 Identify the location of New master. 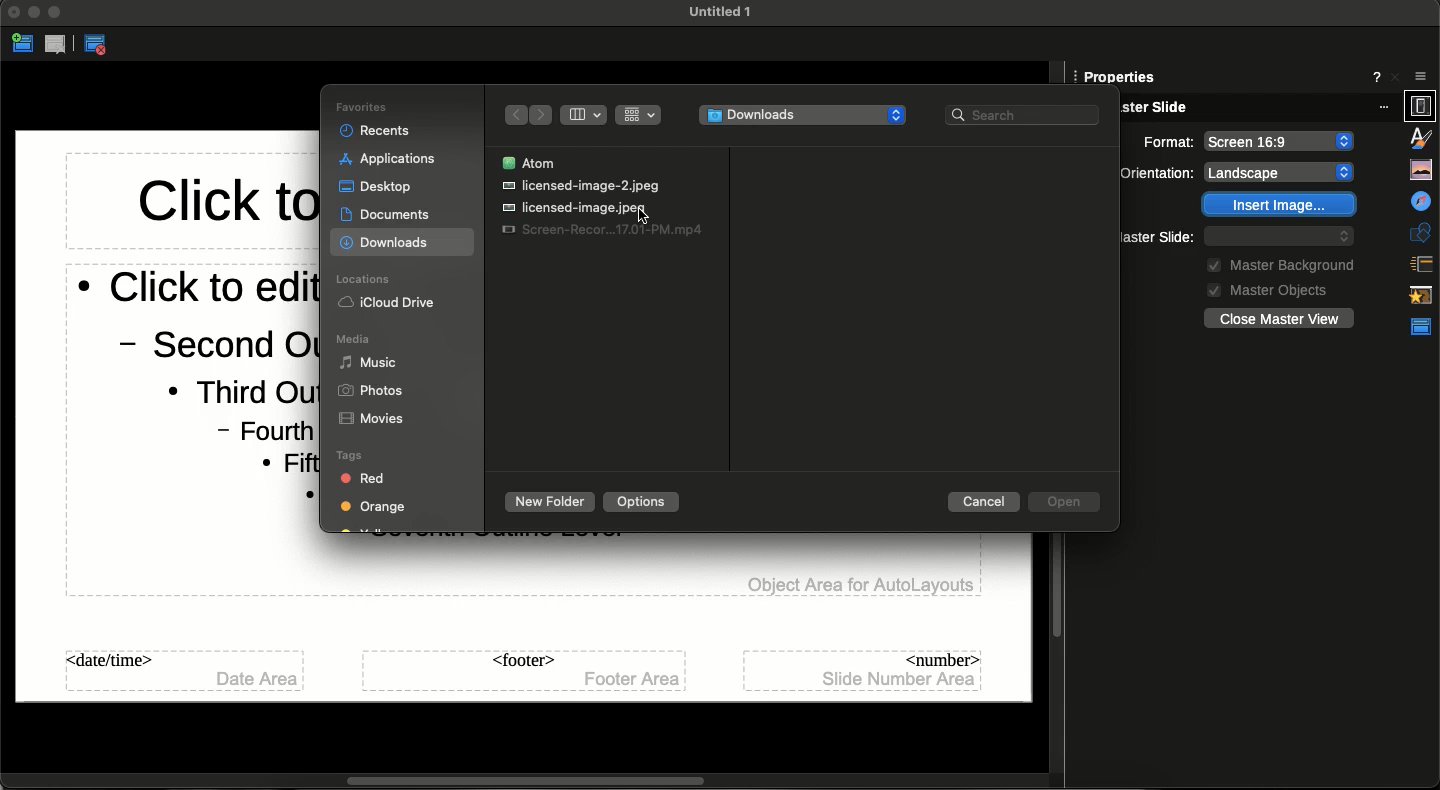
(22, 45).